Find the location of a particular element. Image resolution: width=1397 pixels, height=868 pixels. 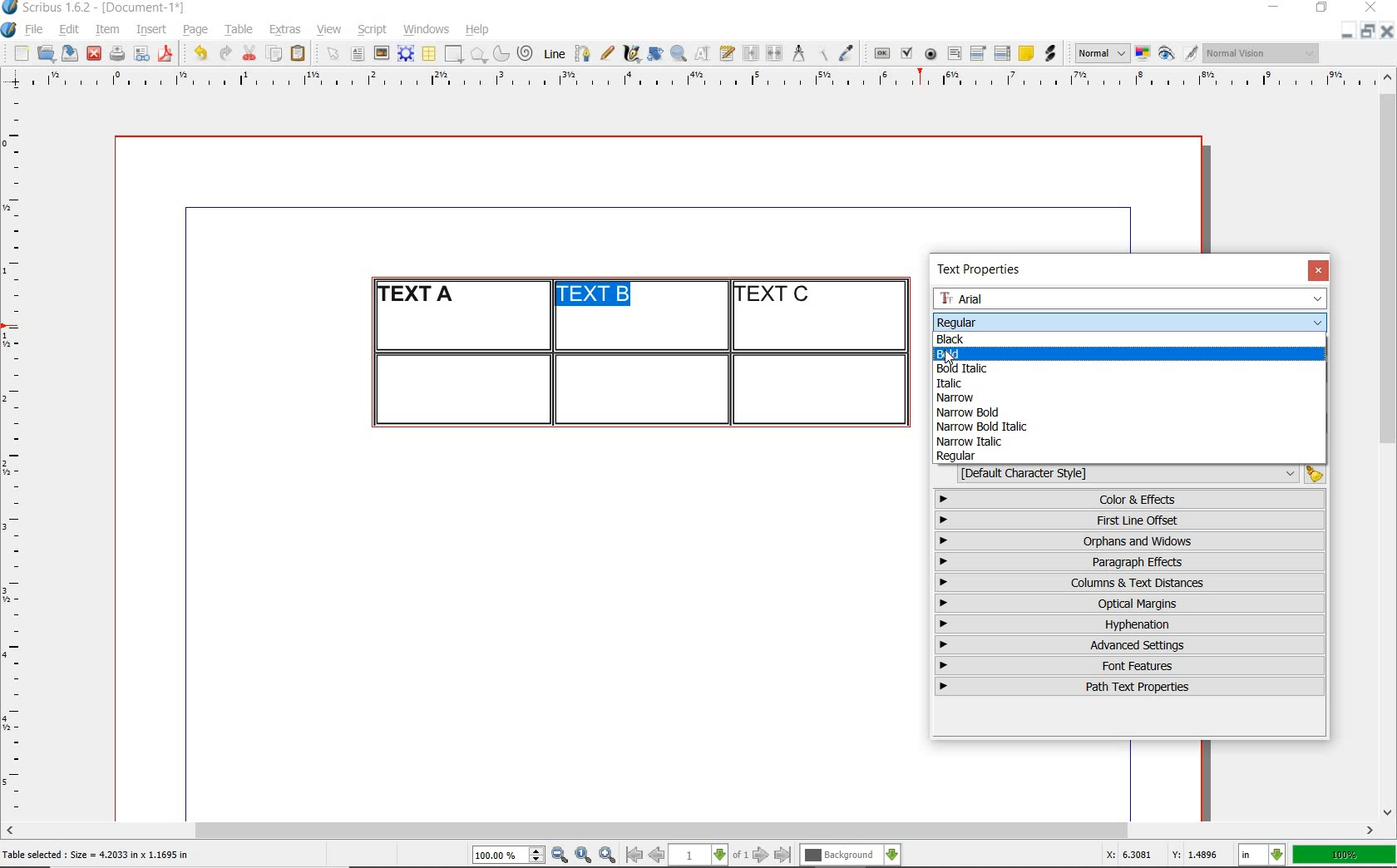

ruler is located at coordinates (18, 454).